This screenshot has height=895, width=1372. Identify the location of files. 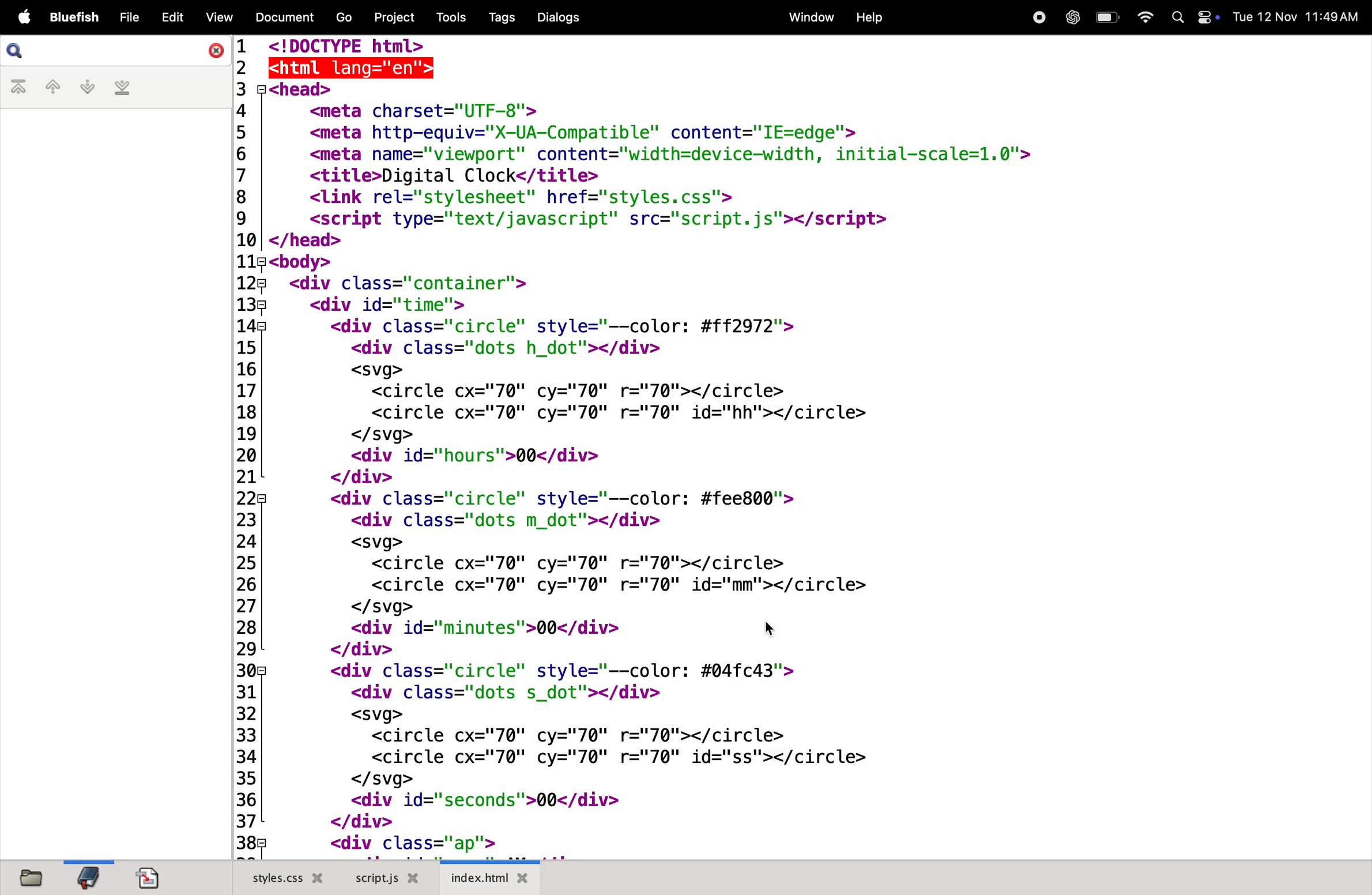
(29, 877).